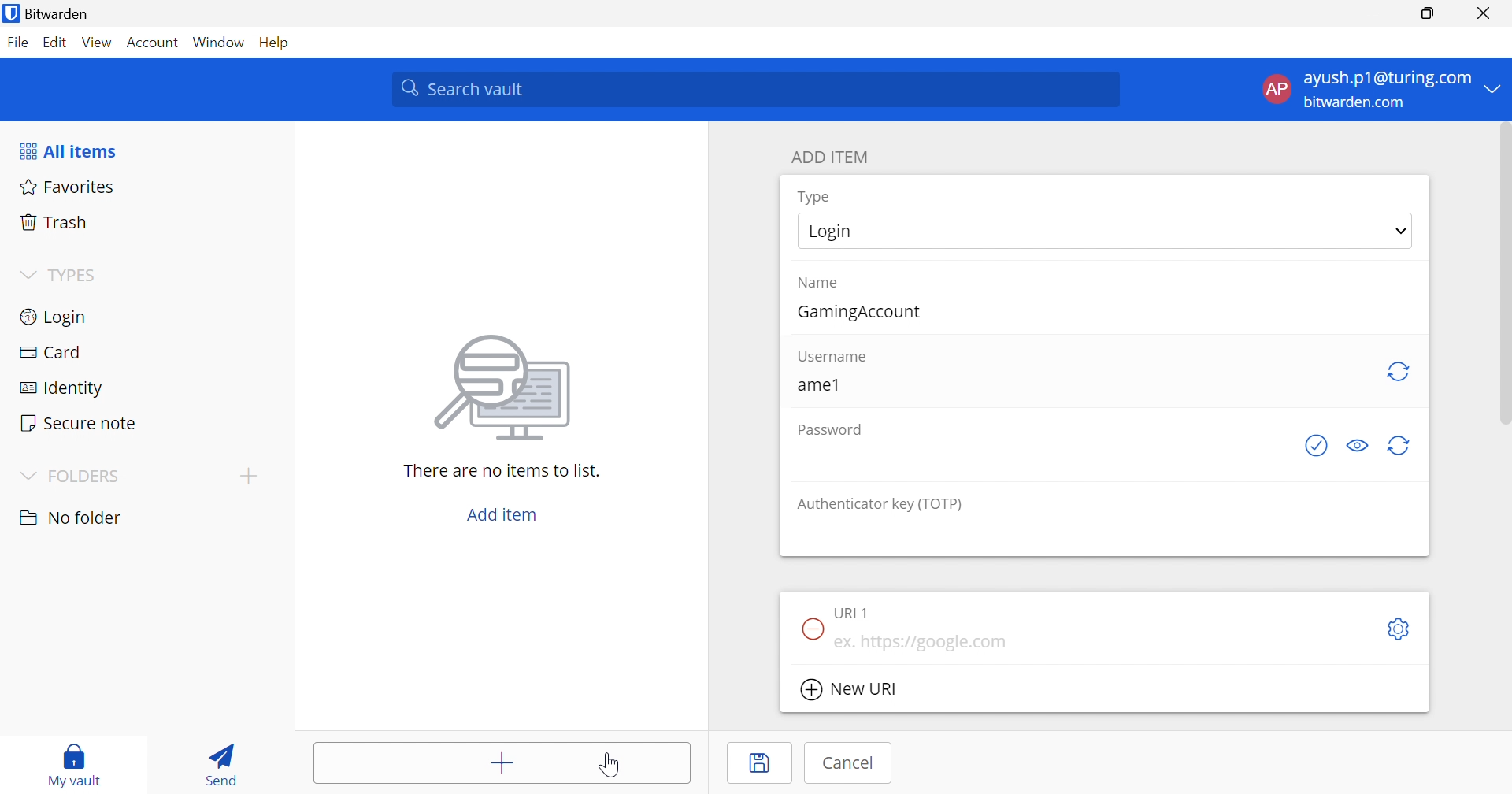 The height and width of the screenshot is (794, 1512). Describe the element at coordinates (57, 41) in the screenshot. I see `Edit` at that location.